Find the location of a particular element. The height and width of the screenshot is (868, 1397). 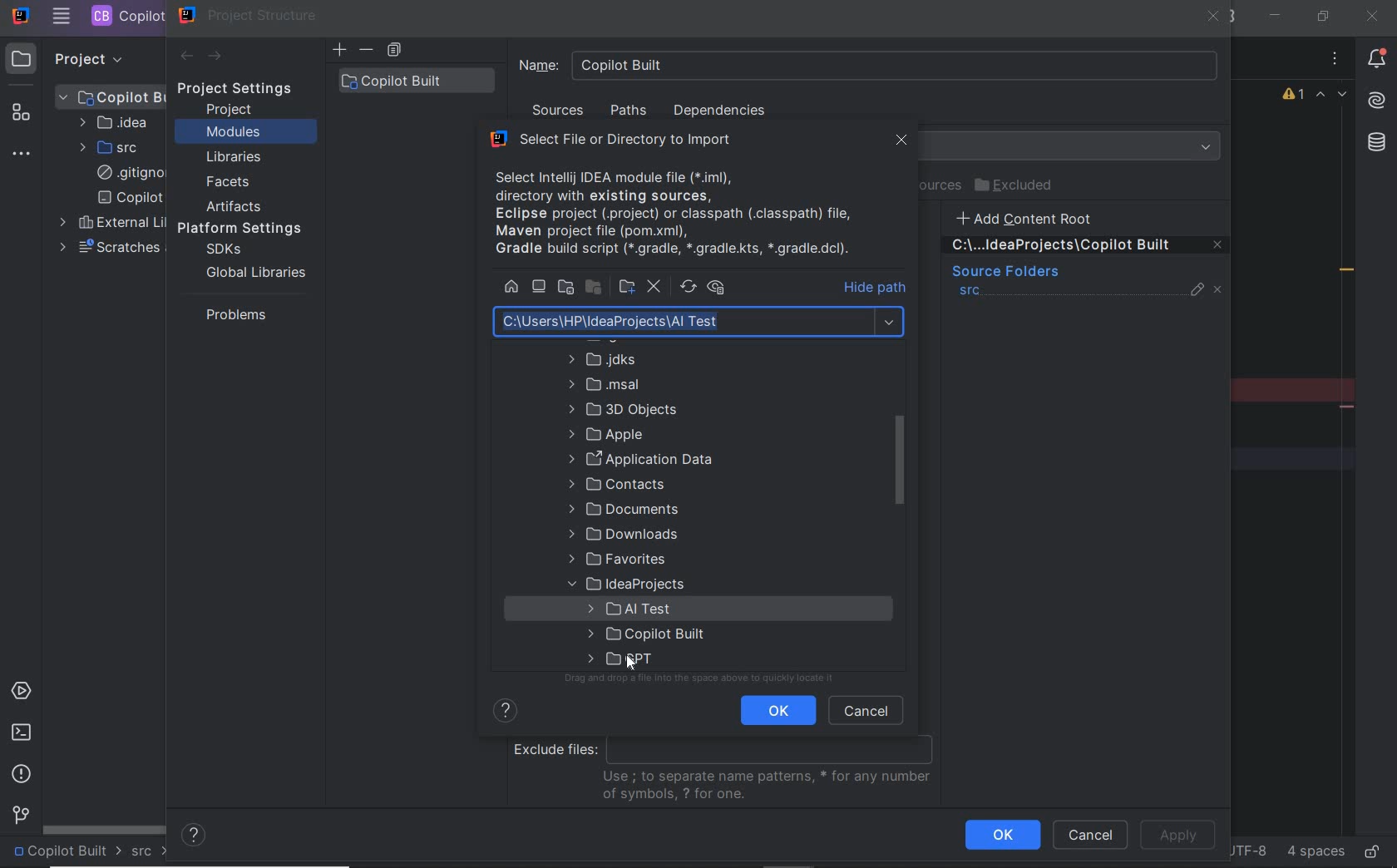

available files is located at coordinates (685, 211).